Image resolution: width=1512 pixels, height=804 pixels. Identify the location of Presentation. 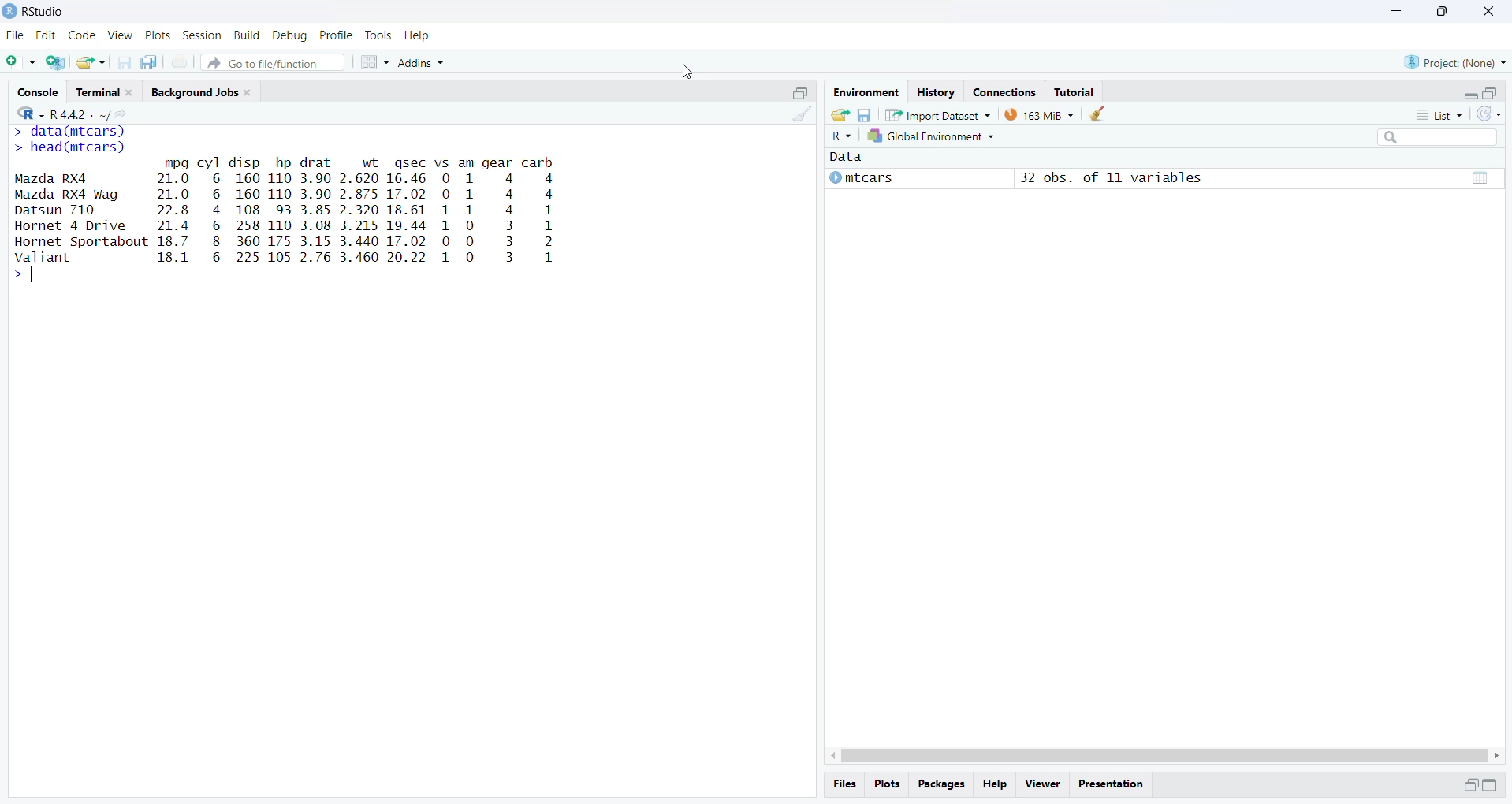
(1111, 785).